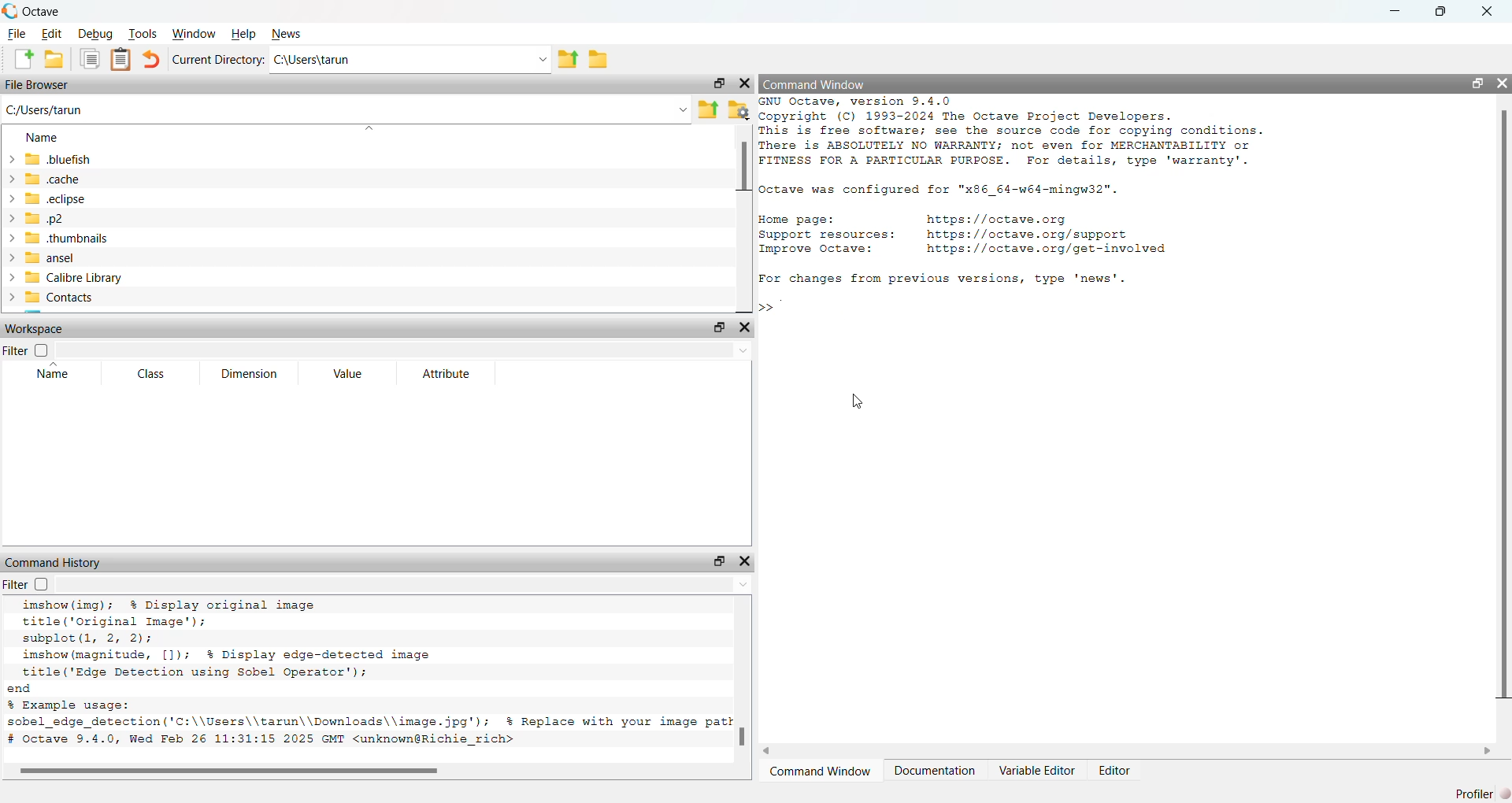  Describe the element at coordinates (1501, 405) in the screenshot. I see `vertical scroll bar` at that location.